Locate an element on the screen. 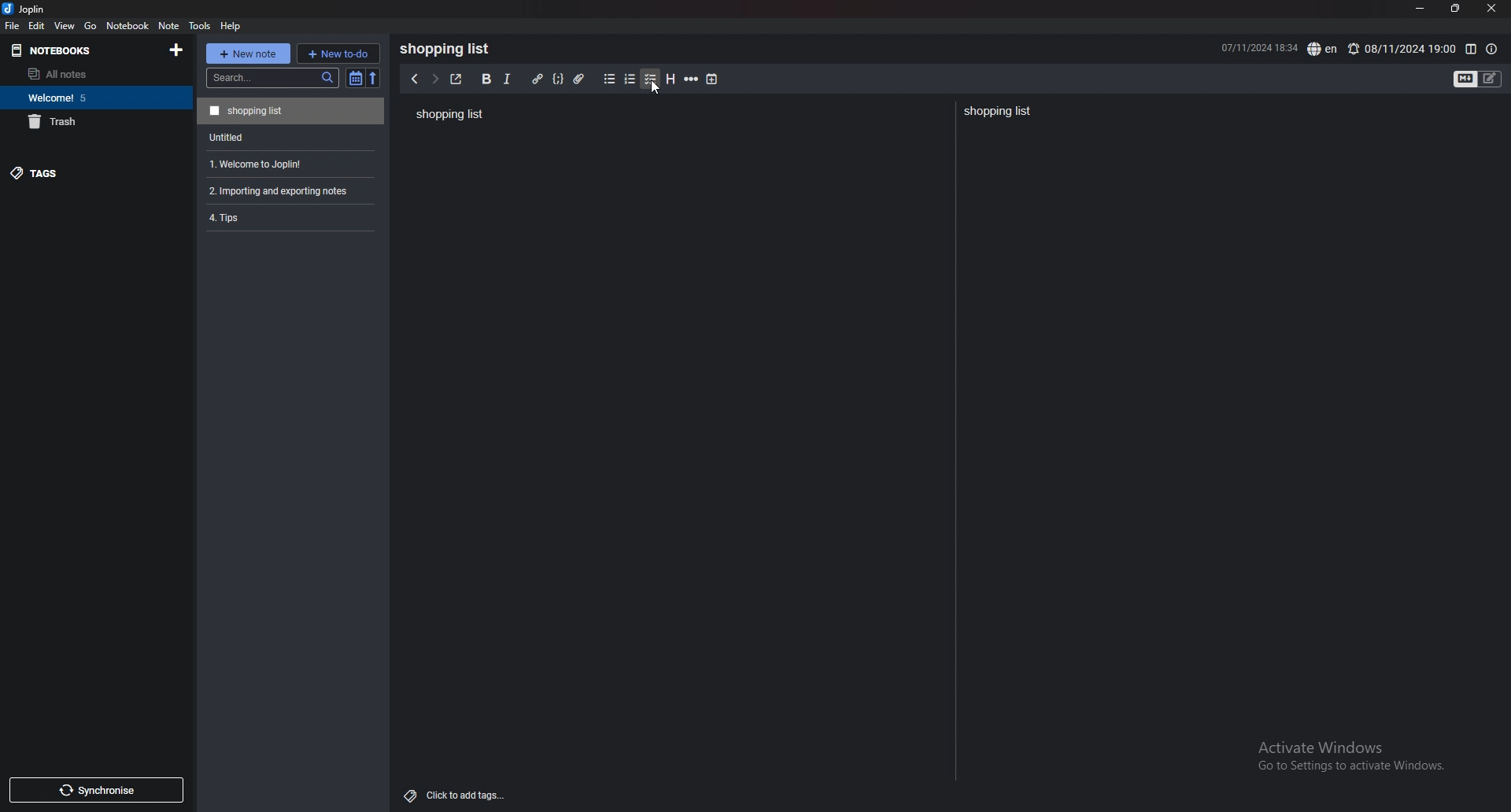 This screenshot has width=1511, height=812. help is located at coordinates (231, 26).